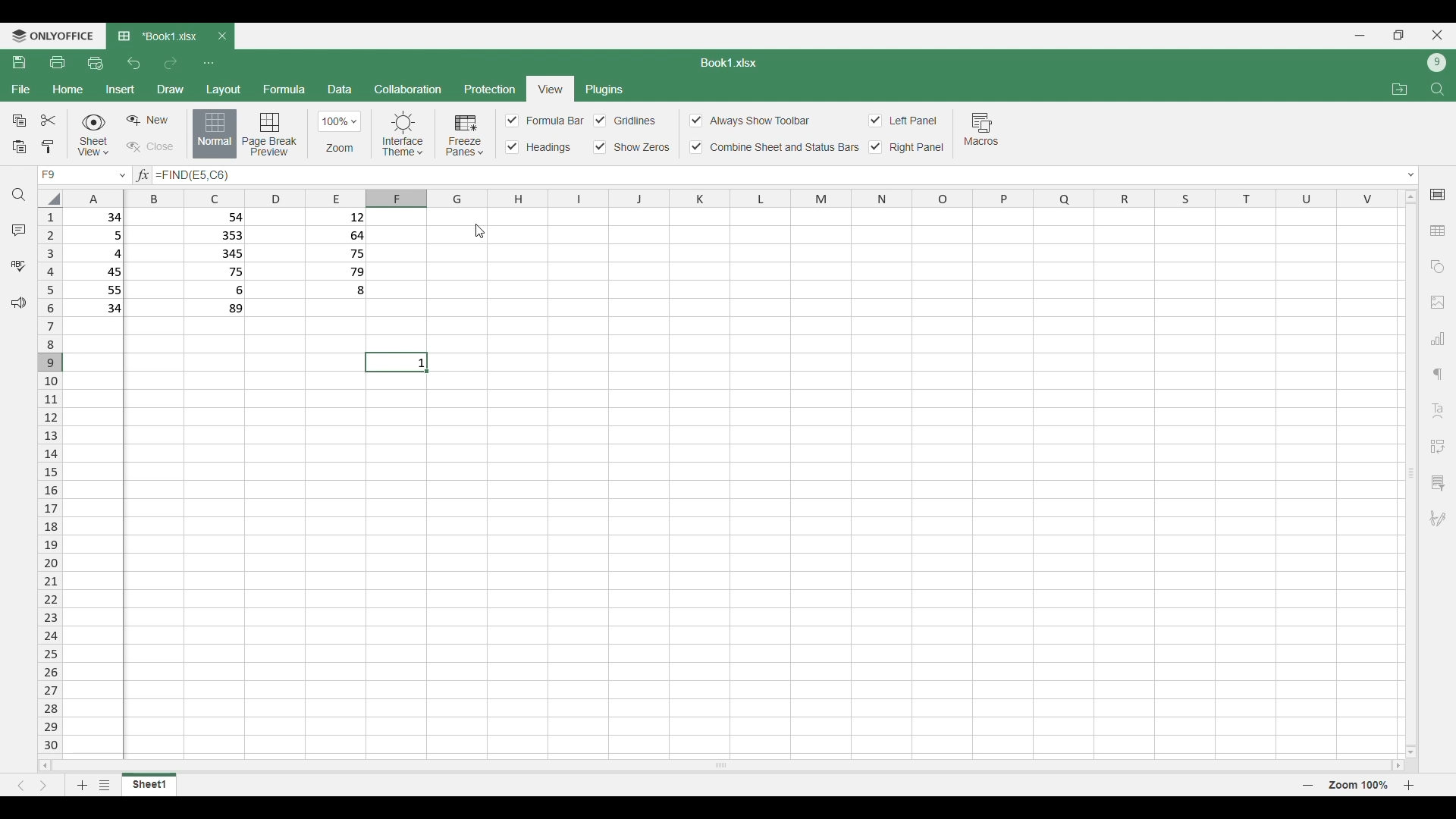  What do you see at coordinates (551, 86) in the screenshot?
I see `current selection: View menu` at bounding box center [551, 86].